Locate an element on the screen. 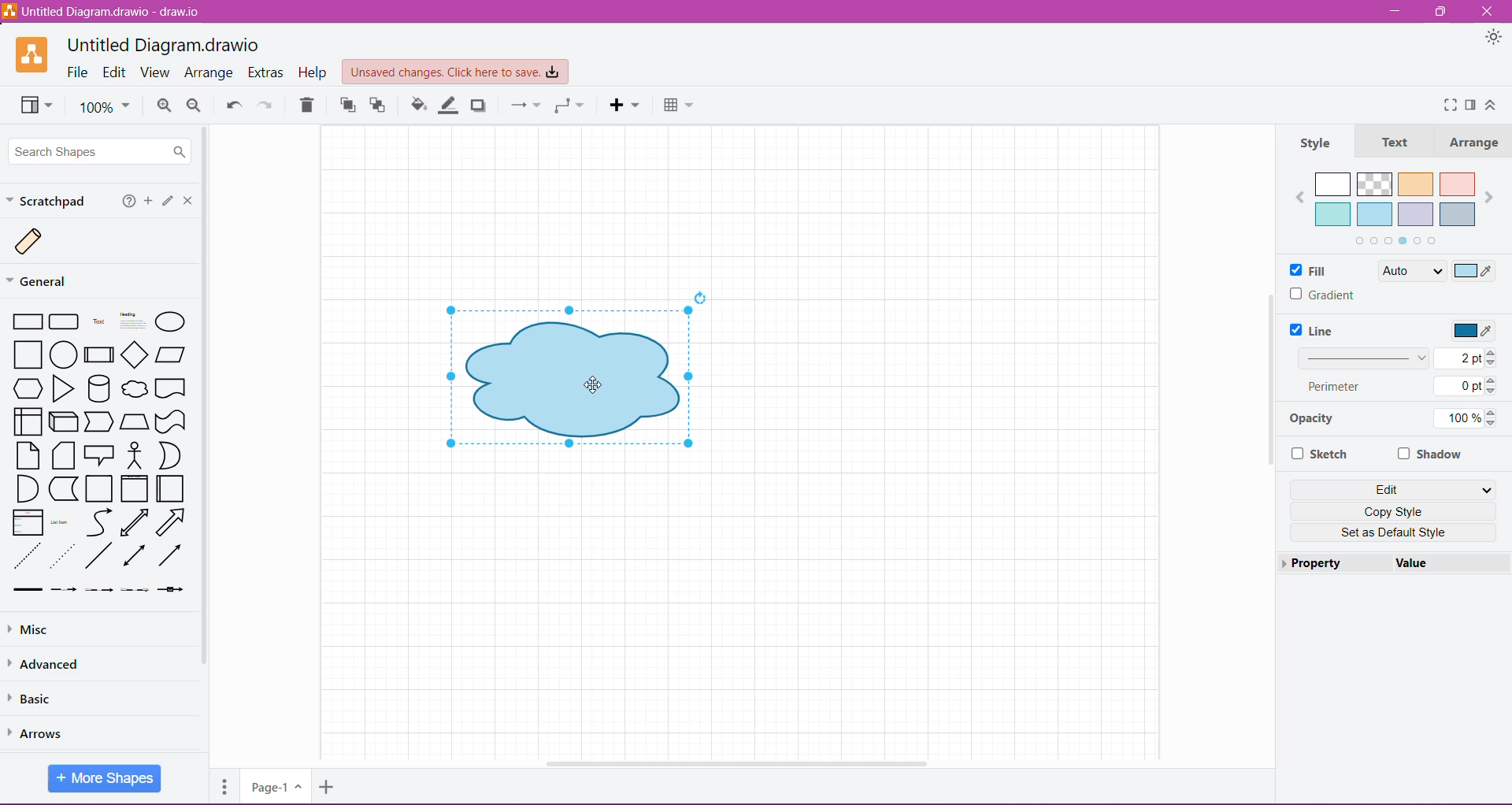  More Shapes is located at coordinates (104, 780).